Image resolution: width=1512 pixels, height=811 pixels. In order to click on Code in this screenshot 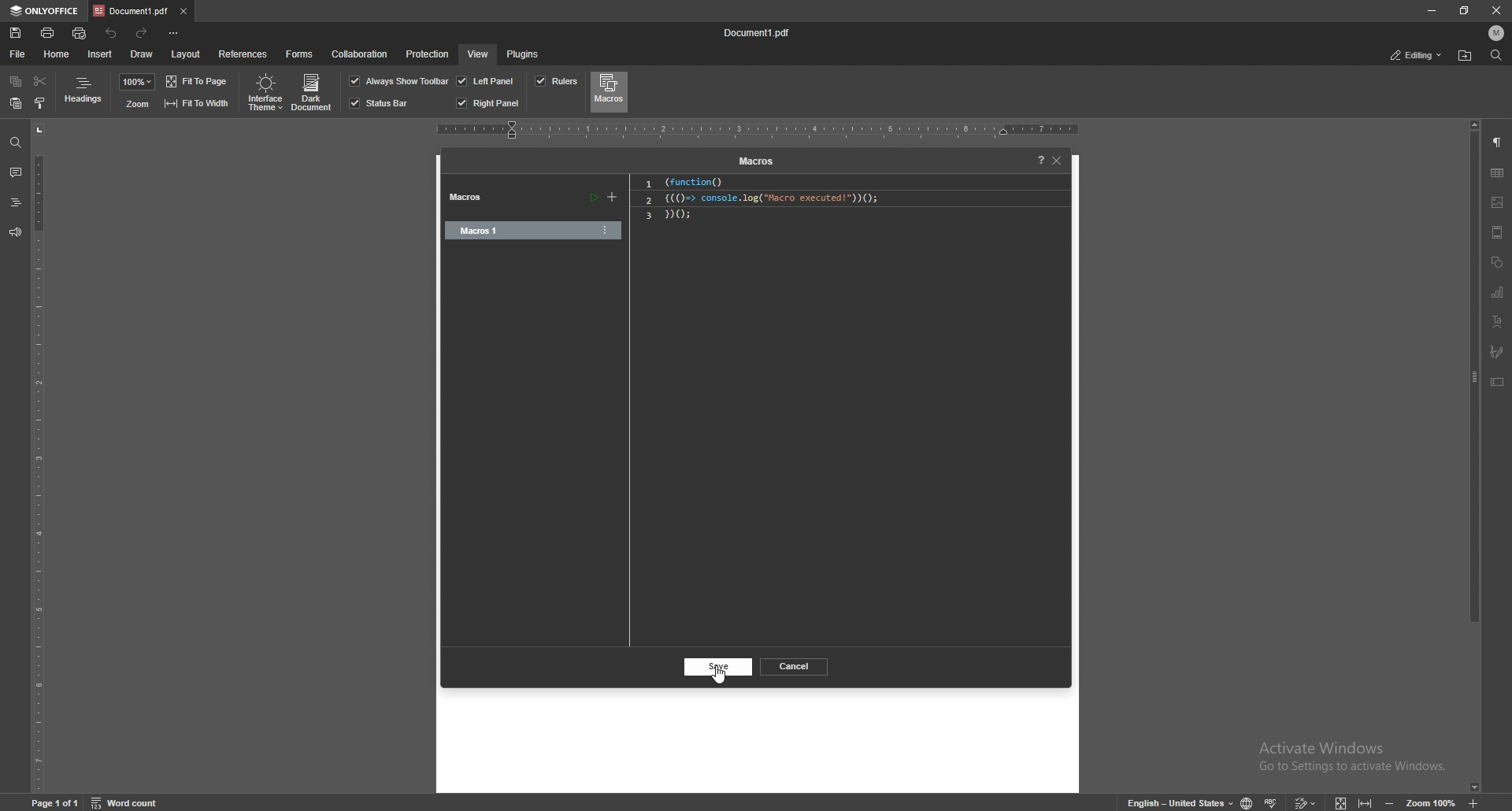, I will do `click(762, 198)`.